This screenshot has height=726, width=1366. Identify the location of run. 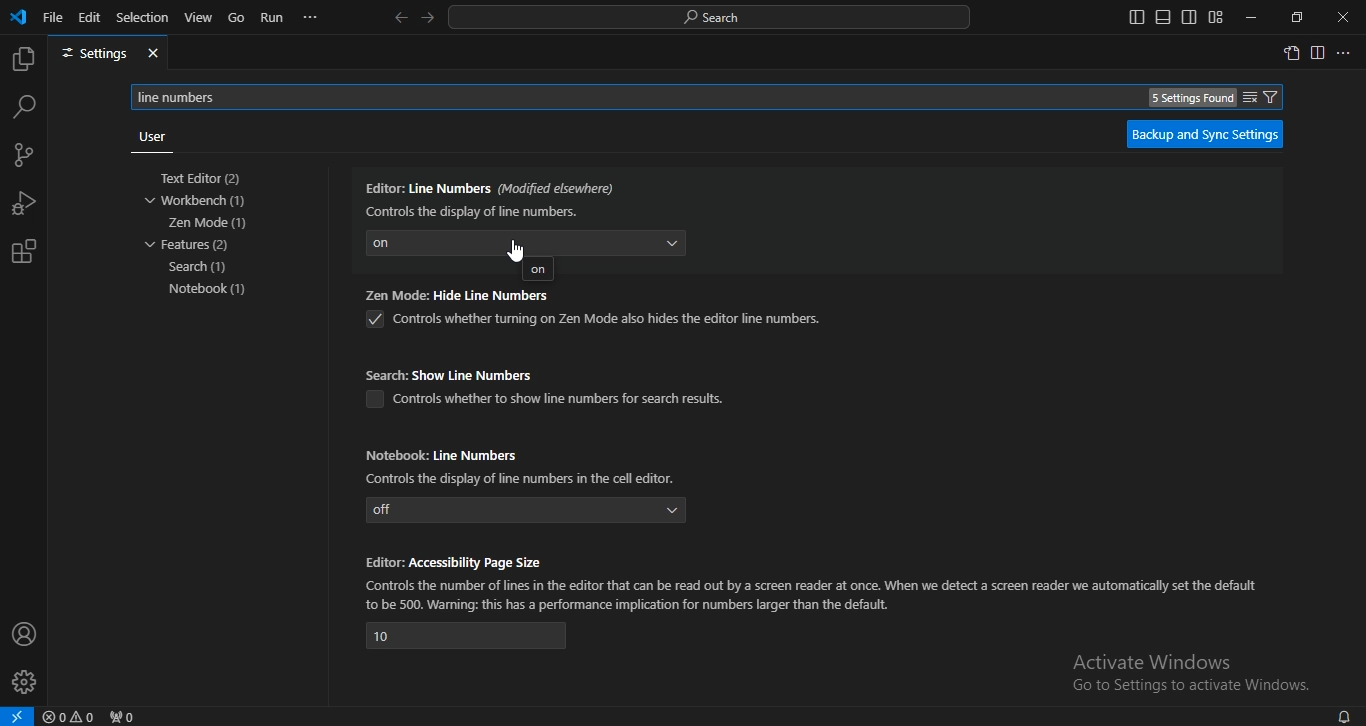
(273, 18).